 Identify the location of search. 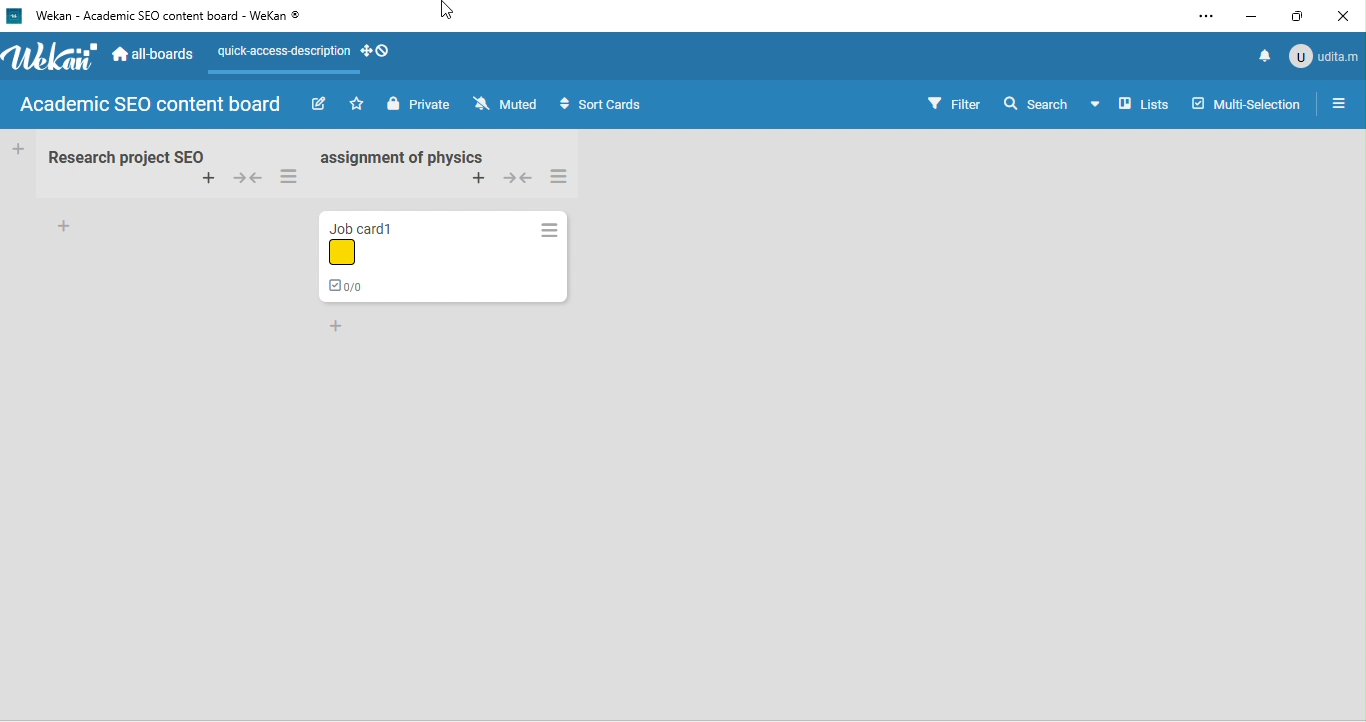
(1033, 103).